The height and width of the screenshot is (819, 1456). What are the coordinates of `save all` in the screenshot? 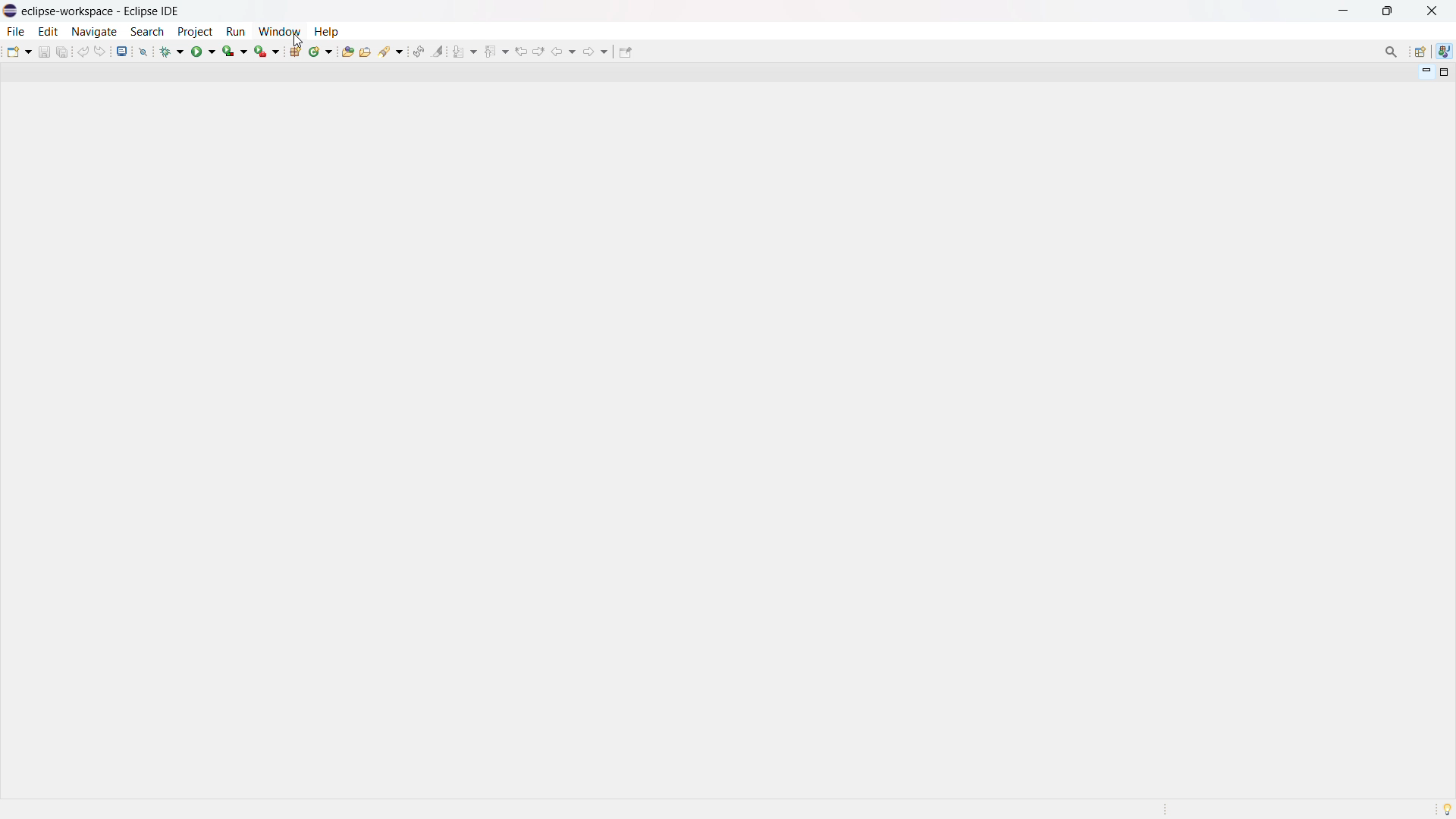 It's located at (64, 51).